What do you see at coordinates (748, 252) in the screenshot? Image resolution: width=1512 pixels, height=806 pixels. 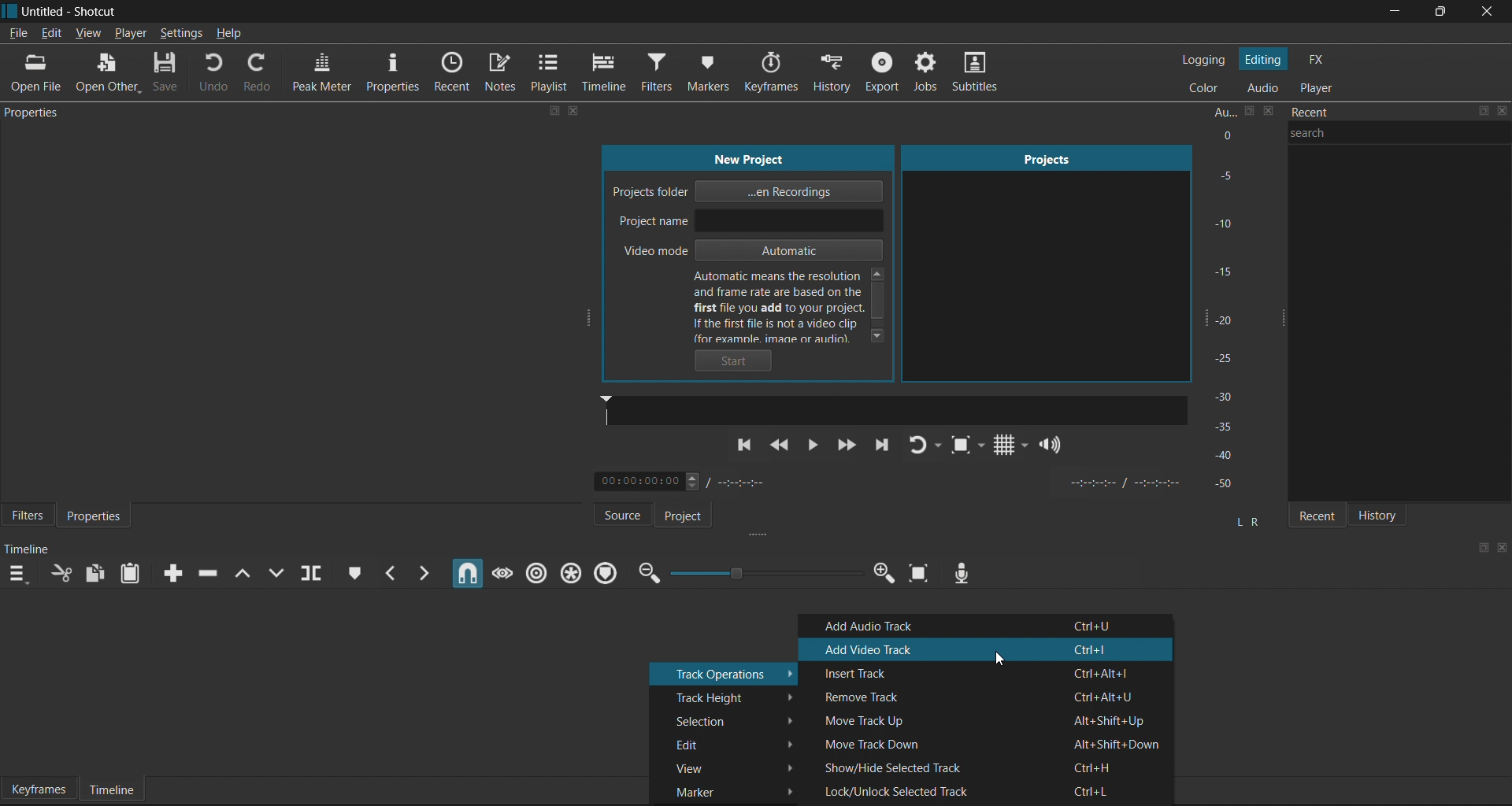 I see `Video mode` at bounding box center [748, 252].